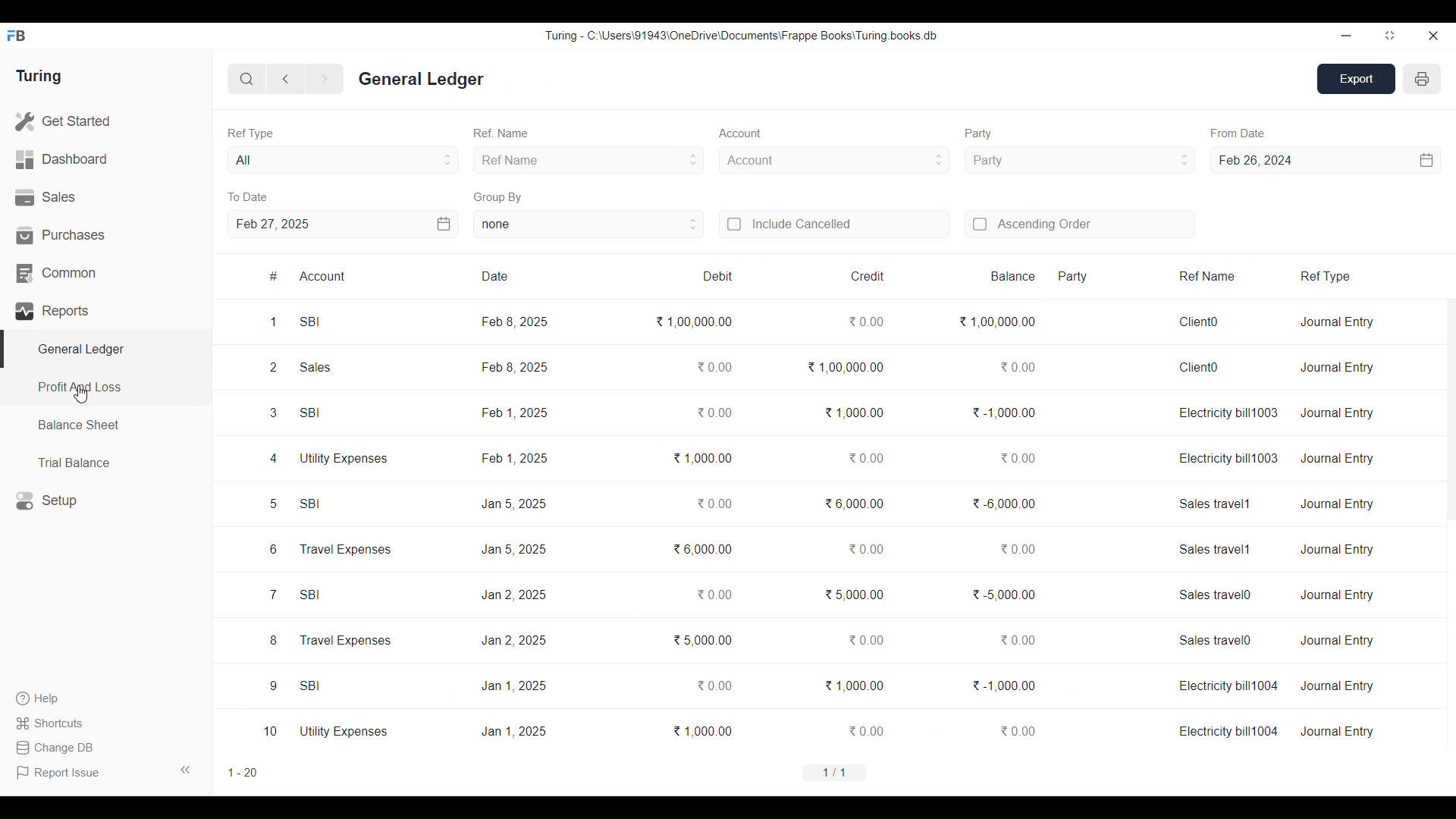 This screenshot has width=1456, height=819. I want to click on 0.00, so click(866, 457).